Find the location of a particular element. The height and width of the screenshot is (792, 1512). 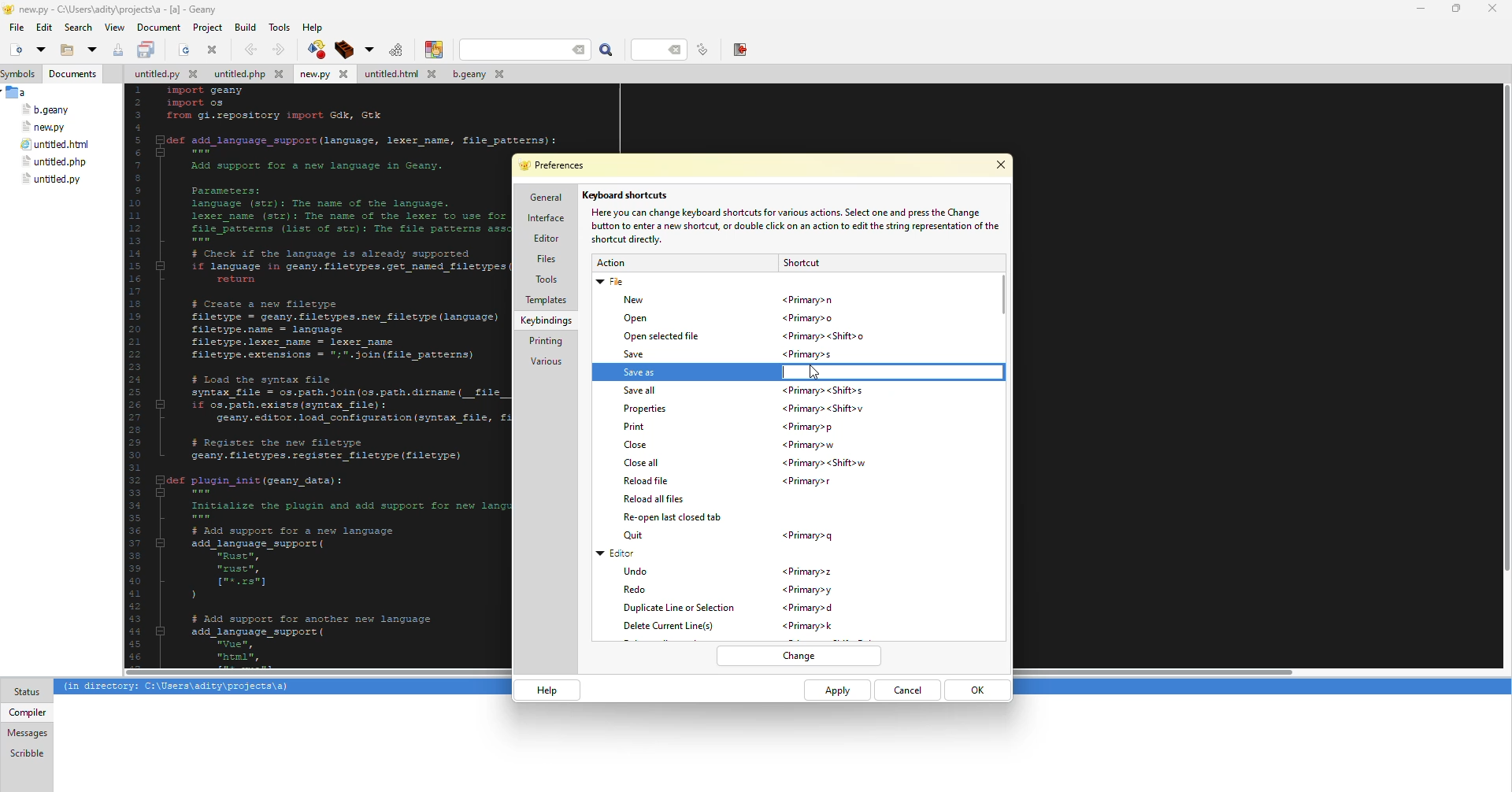

close is located at coordinates (1492, 9).